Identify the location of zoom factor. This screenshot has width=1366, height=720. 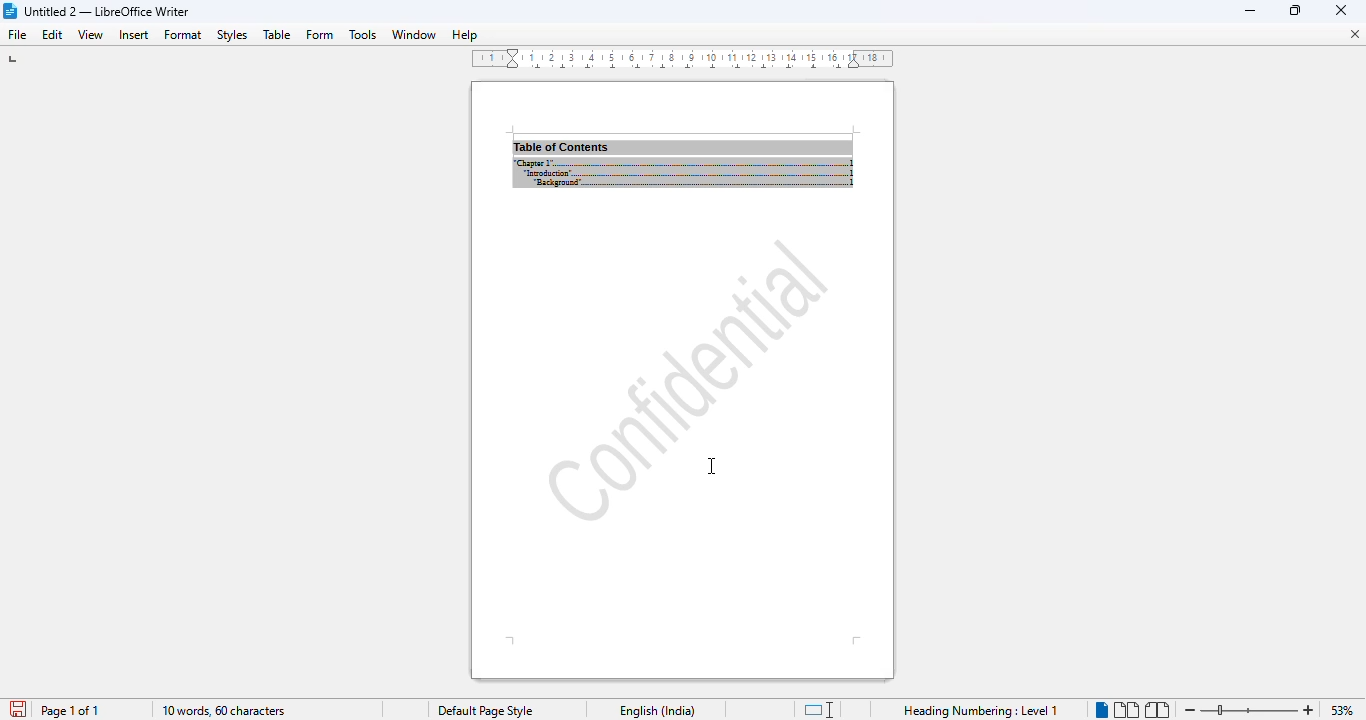
(1341, 710).